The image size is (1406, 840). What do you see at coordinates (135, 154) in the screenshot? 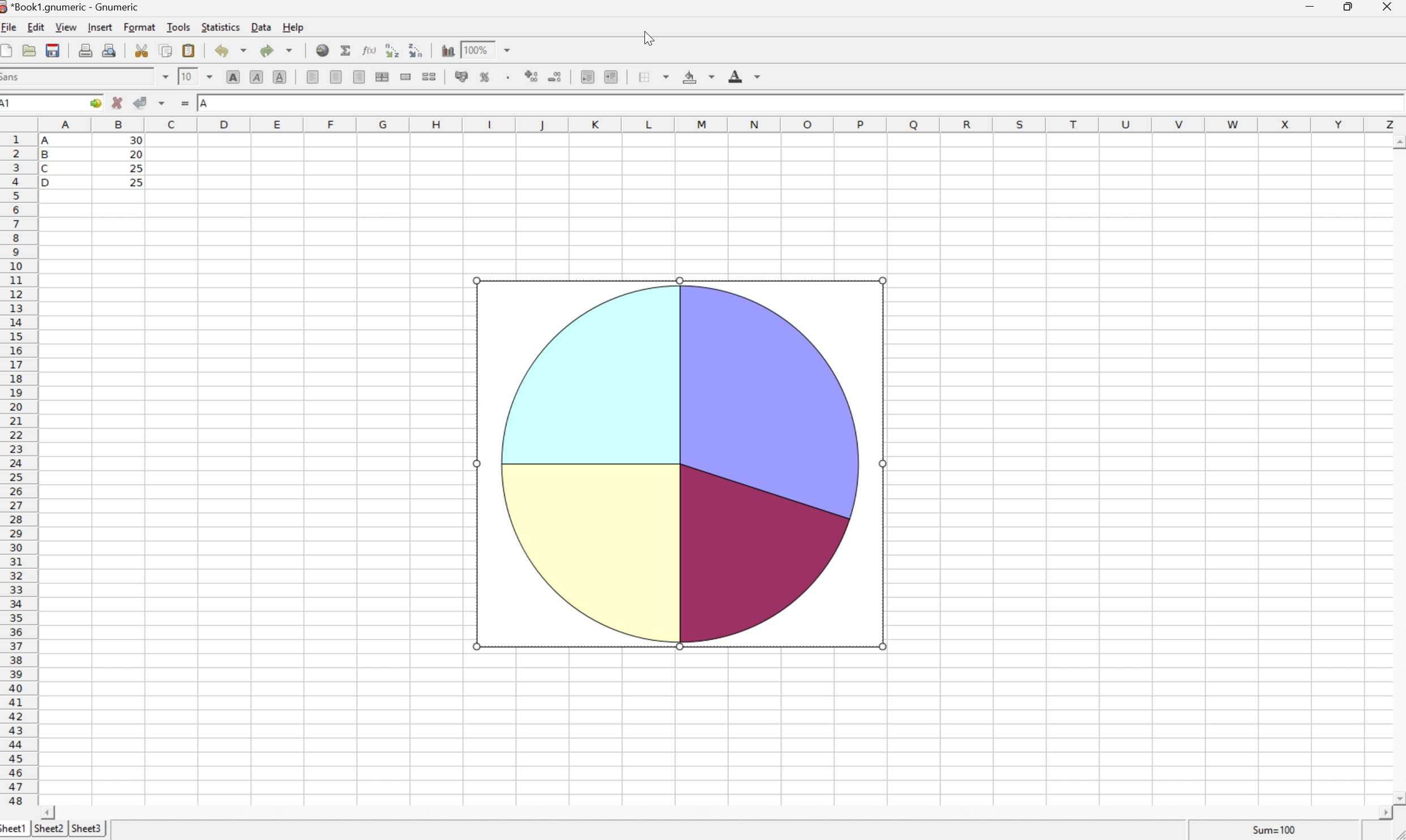
I see `20` at bounding box center [135, 154].